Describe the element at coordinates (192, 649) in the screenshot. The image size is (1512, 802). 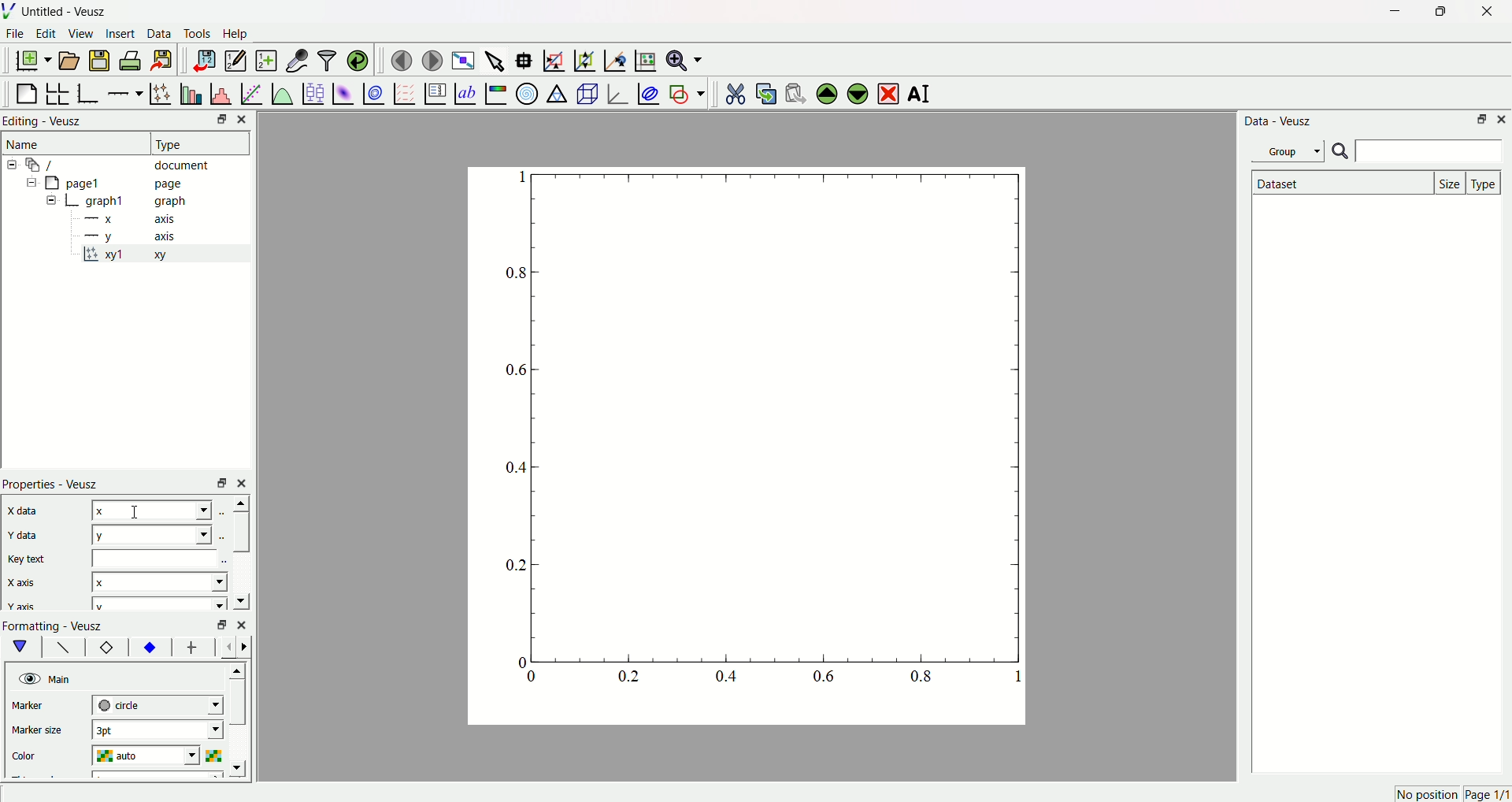
I see `error bar line` at that location.